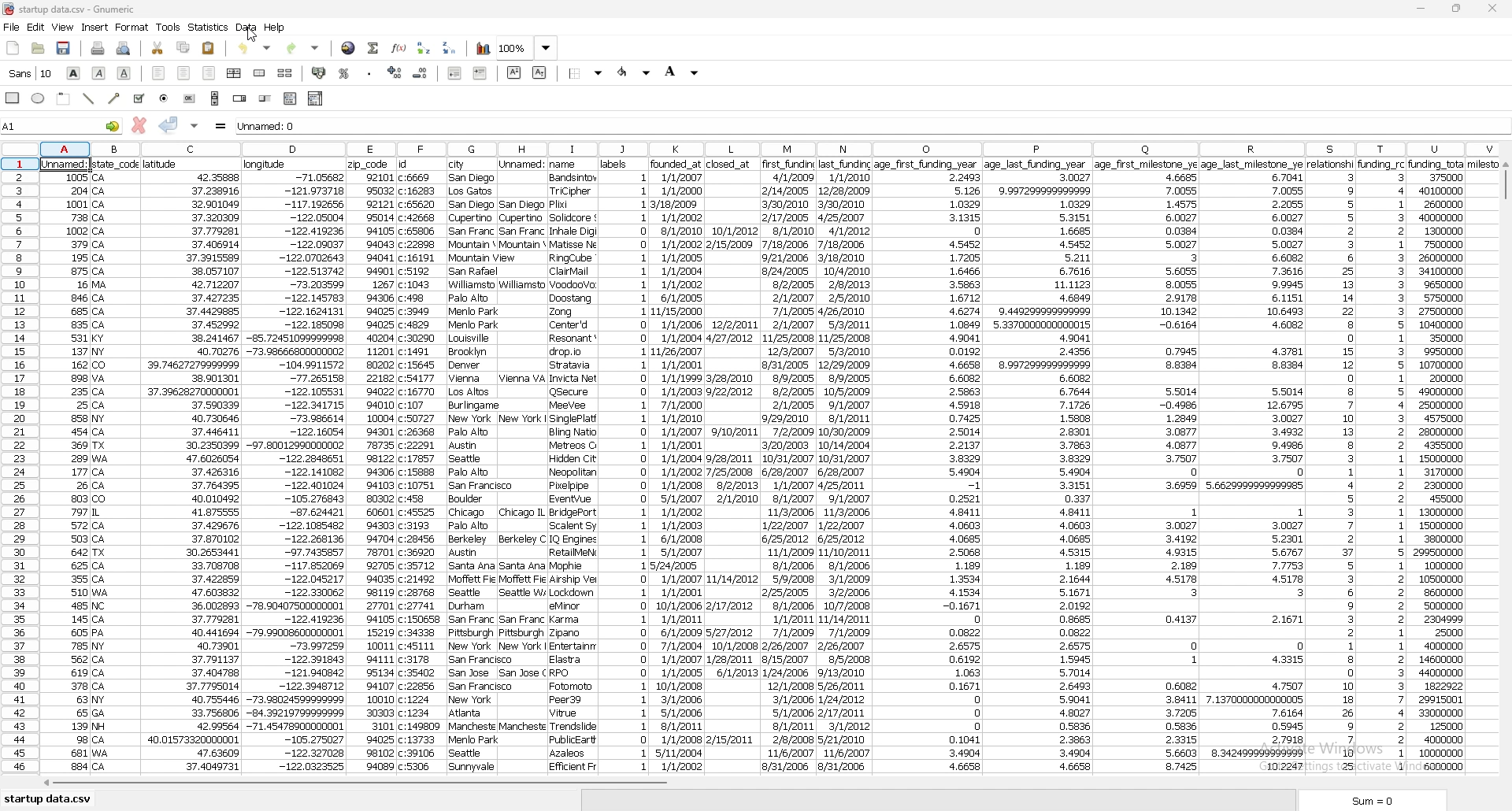 This screenshot has width=1512, height=811. I want to click on data, so click(1382, 464).